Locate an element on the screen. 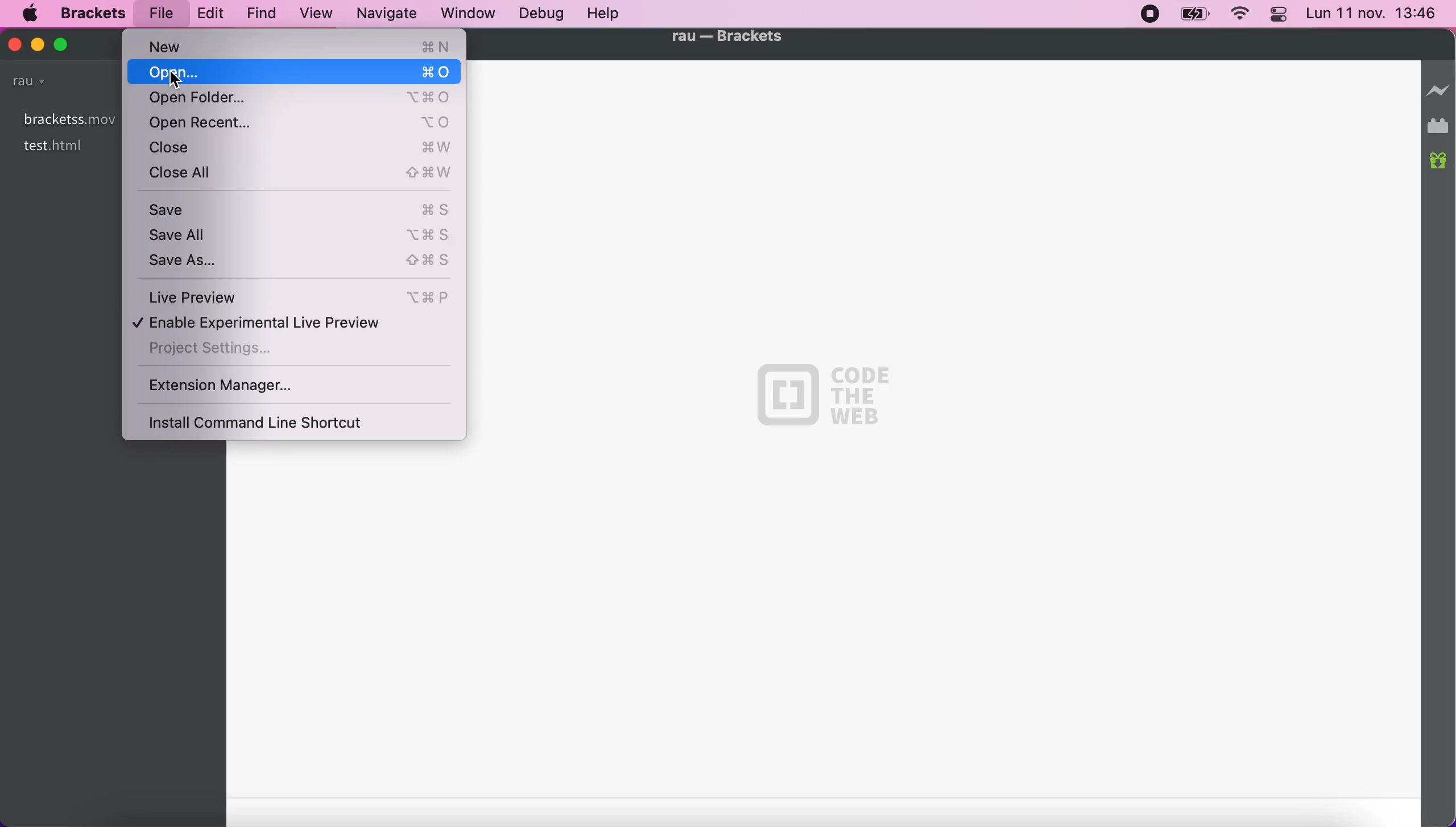 The height and width of the screenshot is (827, 1456). save is located at coordinates (299, 209).